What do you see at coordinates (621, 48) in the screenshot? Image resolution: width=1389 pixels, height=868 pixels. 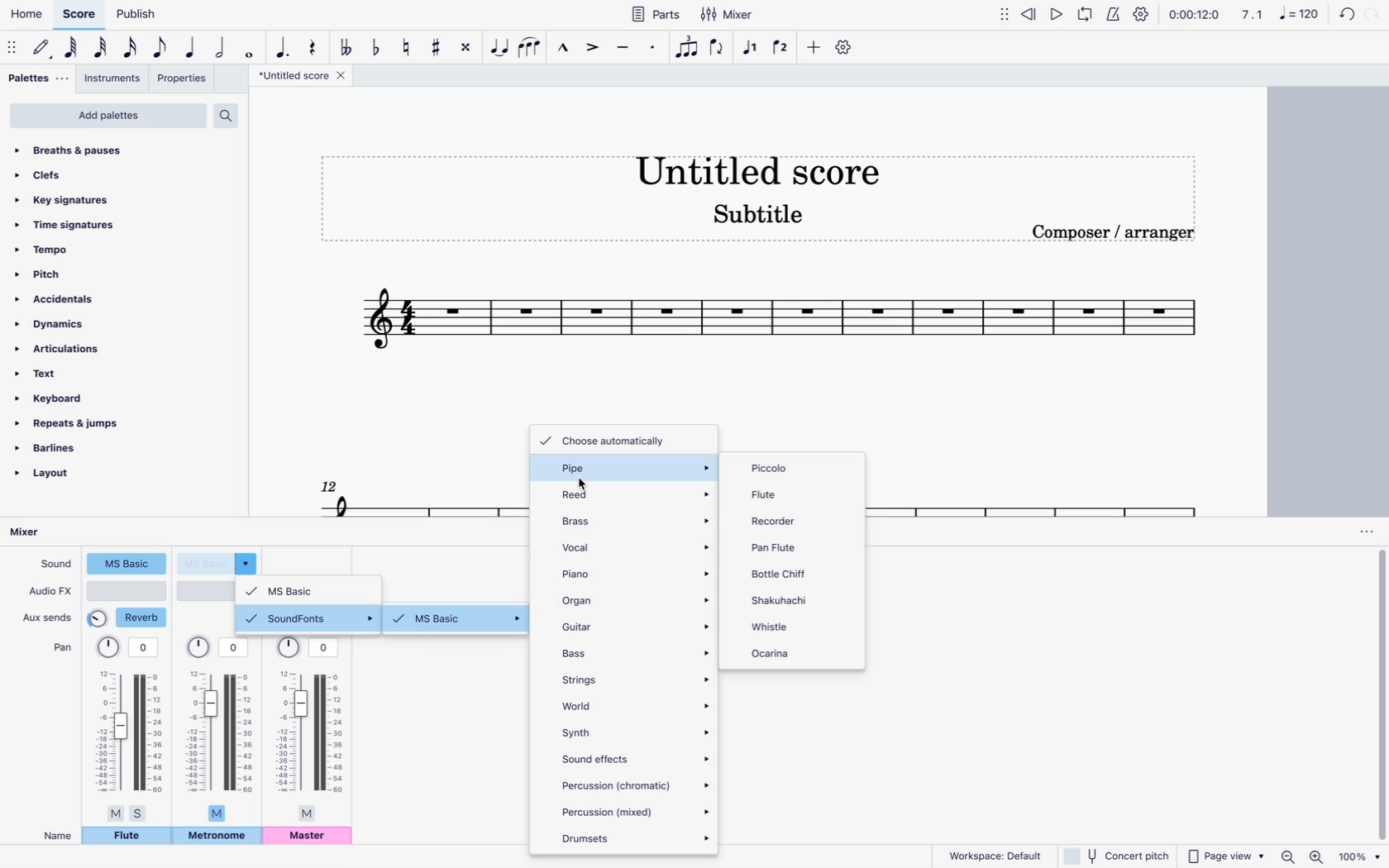 I see `tenuto` at bounding box center [621, 48].